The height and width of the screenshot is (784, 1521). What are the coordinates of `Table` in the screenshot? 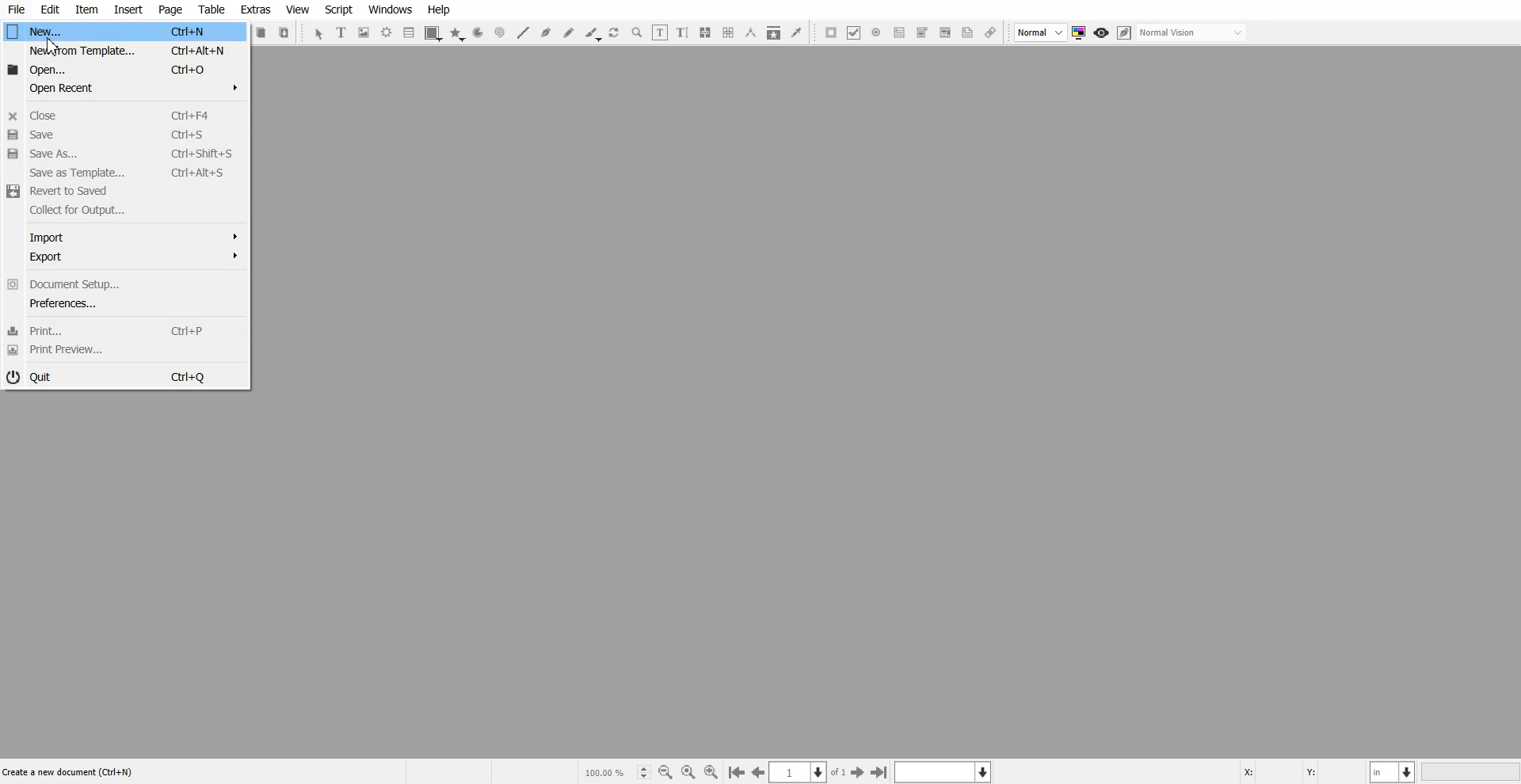 It's located at (211, 10).